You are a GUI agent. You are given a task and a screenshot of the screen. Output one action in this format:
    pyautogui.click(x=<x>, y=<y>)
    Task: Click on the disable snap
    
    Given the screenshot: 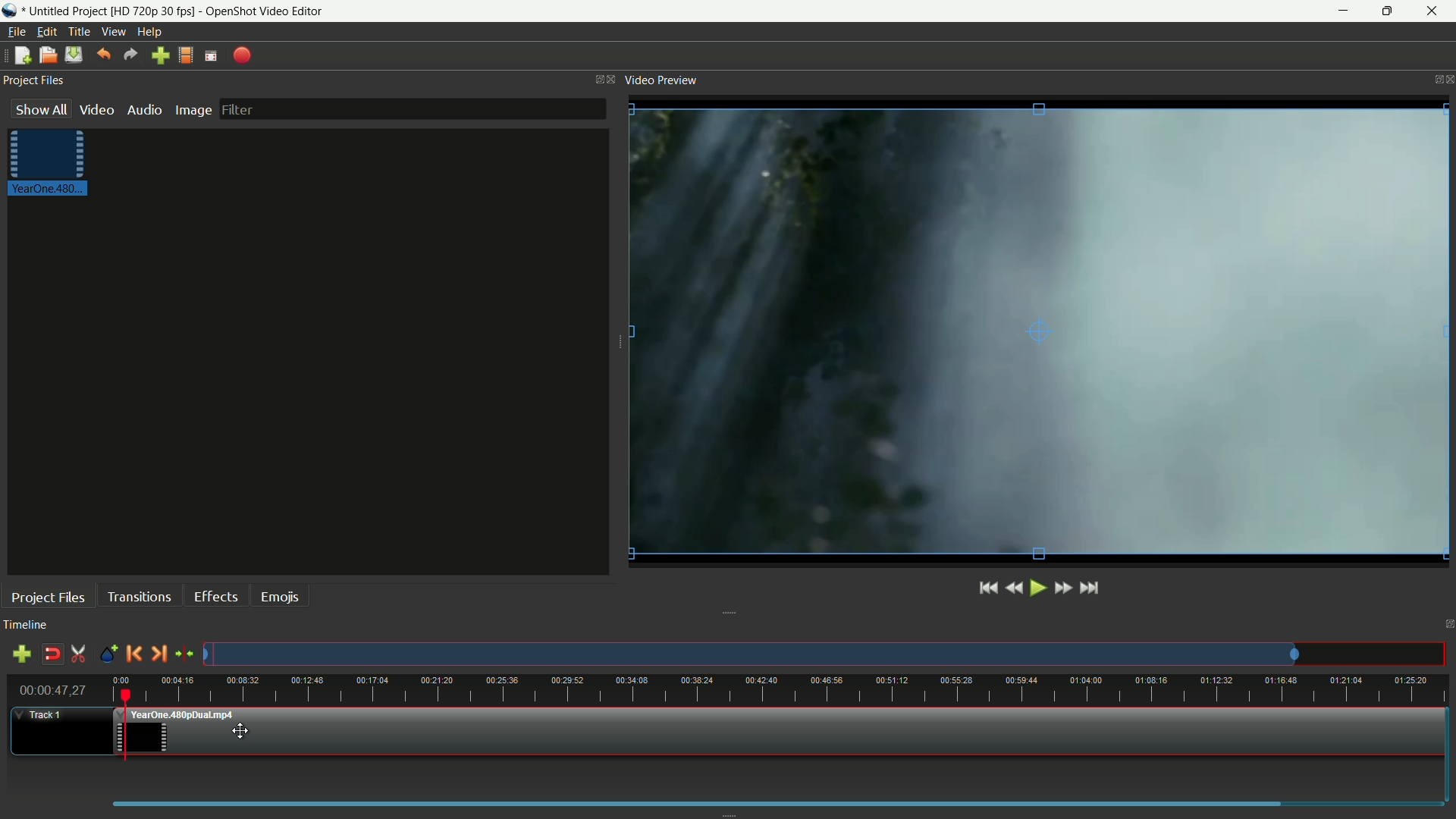 What is the action you would take?
    pyautogui.click(x=49, y=654)
    